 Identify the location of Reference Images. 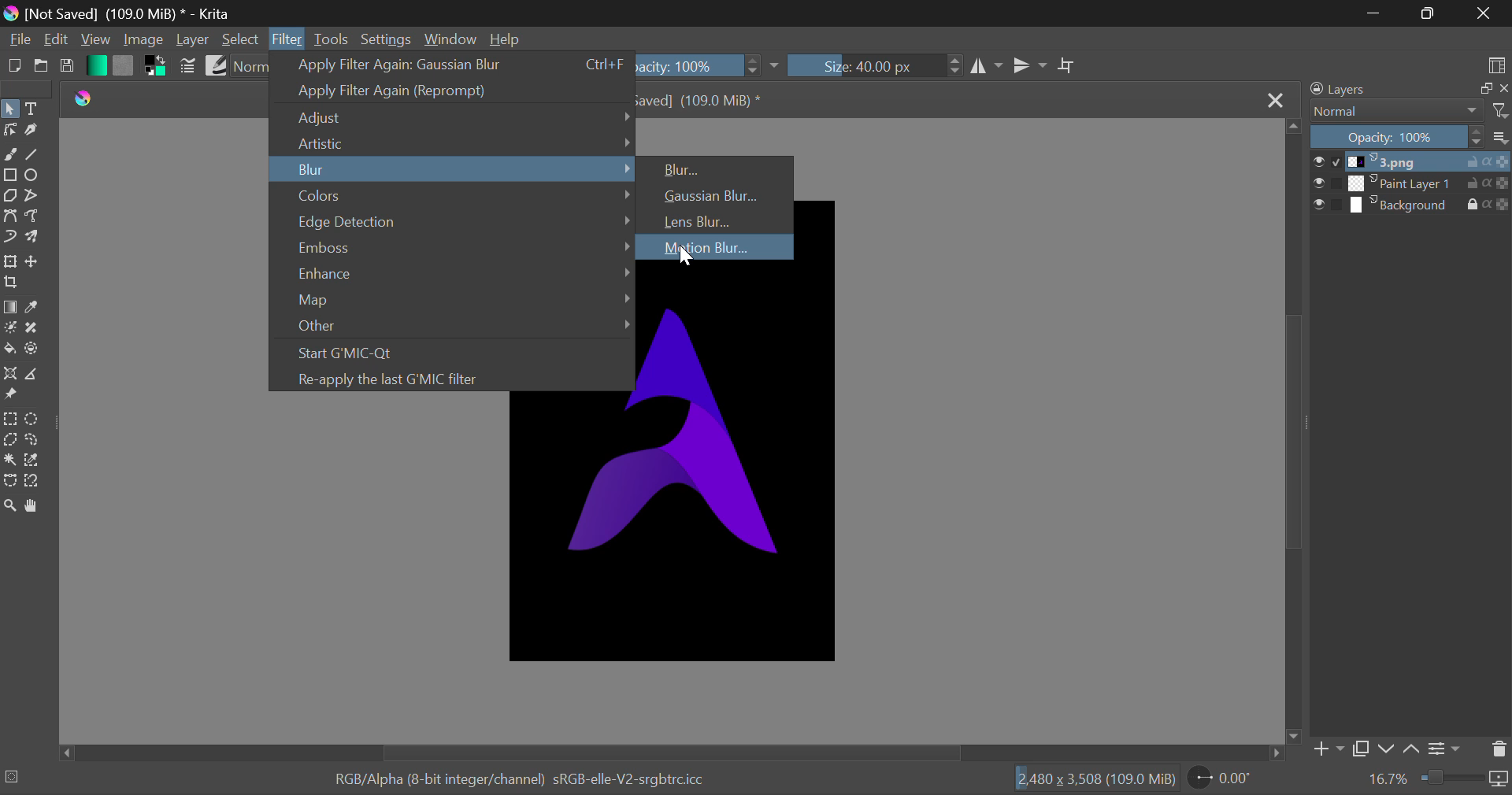
(10, 397).